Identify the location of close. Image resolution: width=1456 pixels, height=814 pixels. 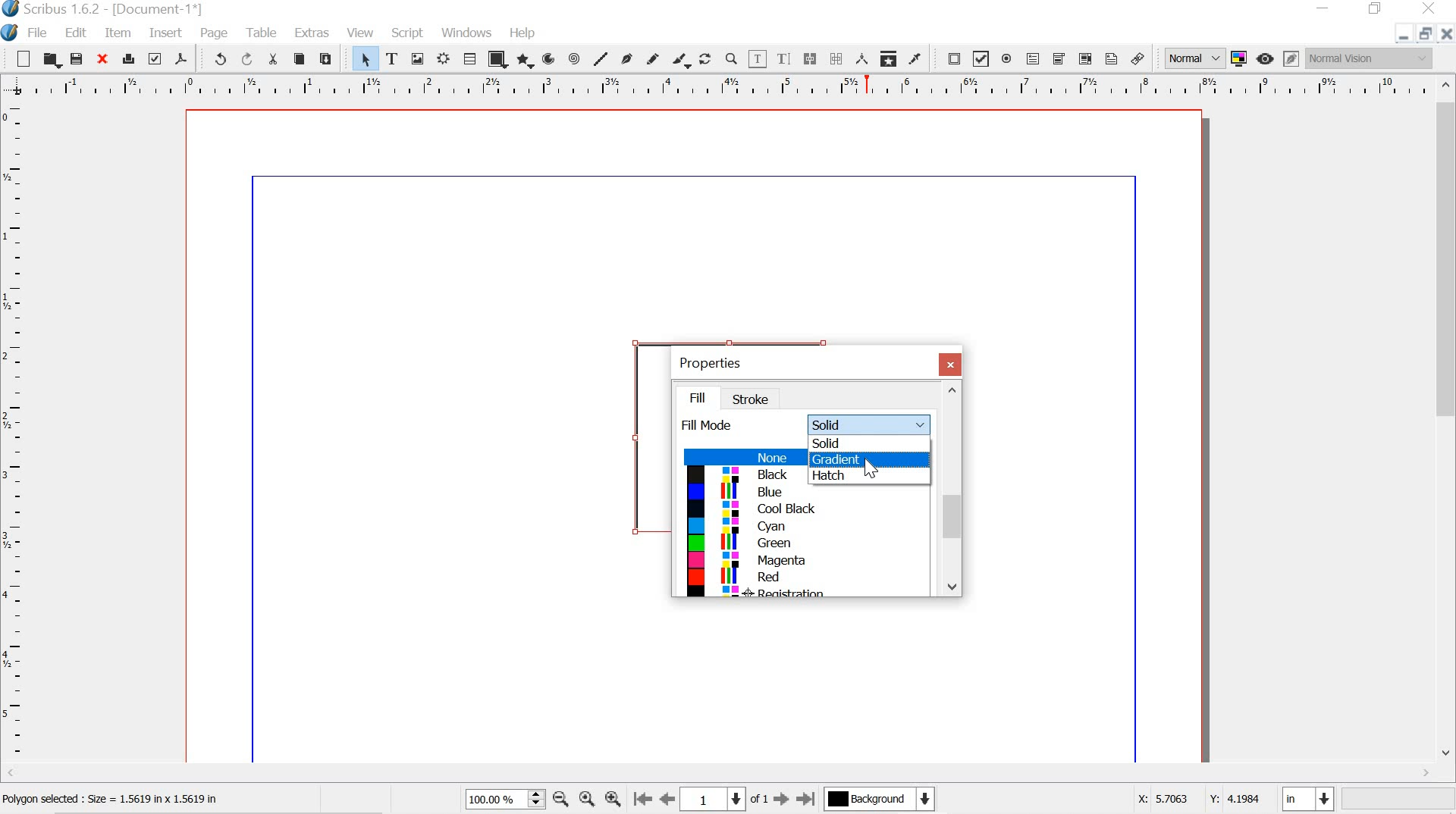
(951, 364).